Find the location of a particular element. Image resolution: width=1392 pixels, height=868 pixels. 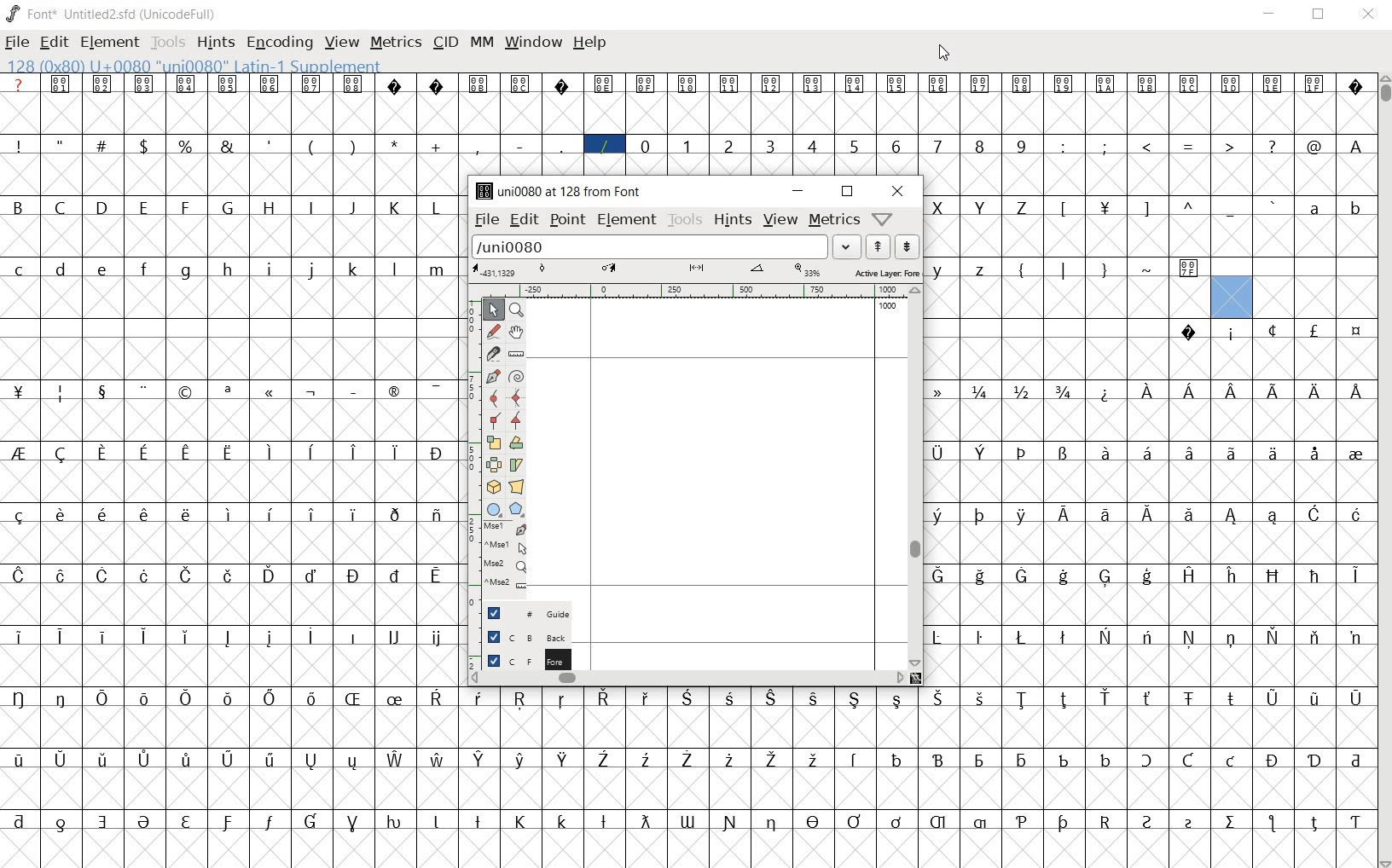

glyph is located at coordinates (19, 146).